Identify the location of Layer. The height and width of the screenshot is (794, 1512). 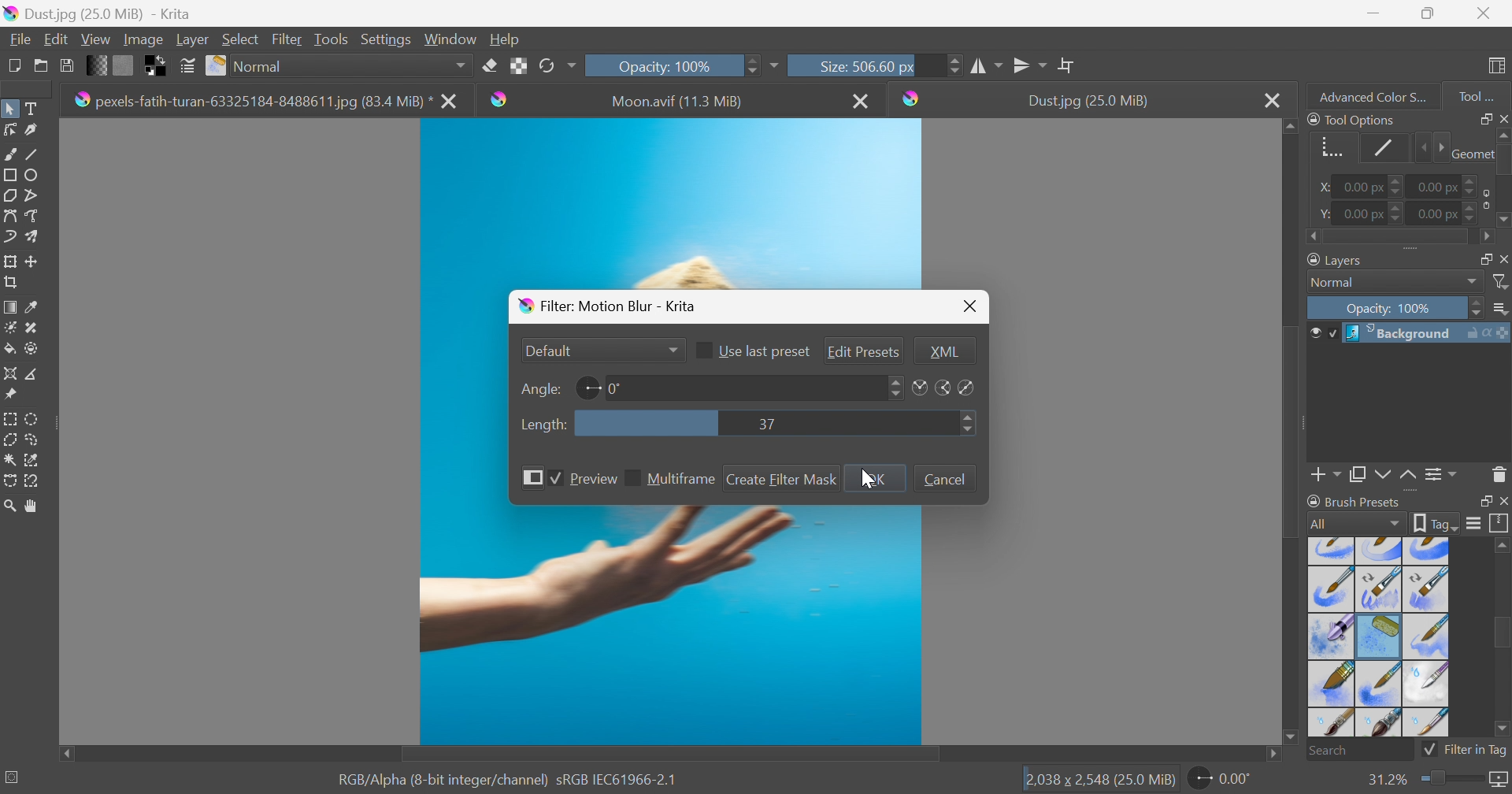
(192, 38).